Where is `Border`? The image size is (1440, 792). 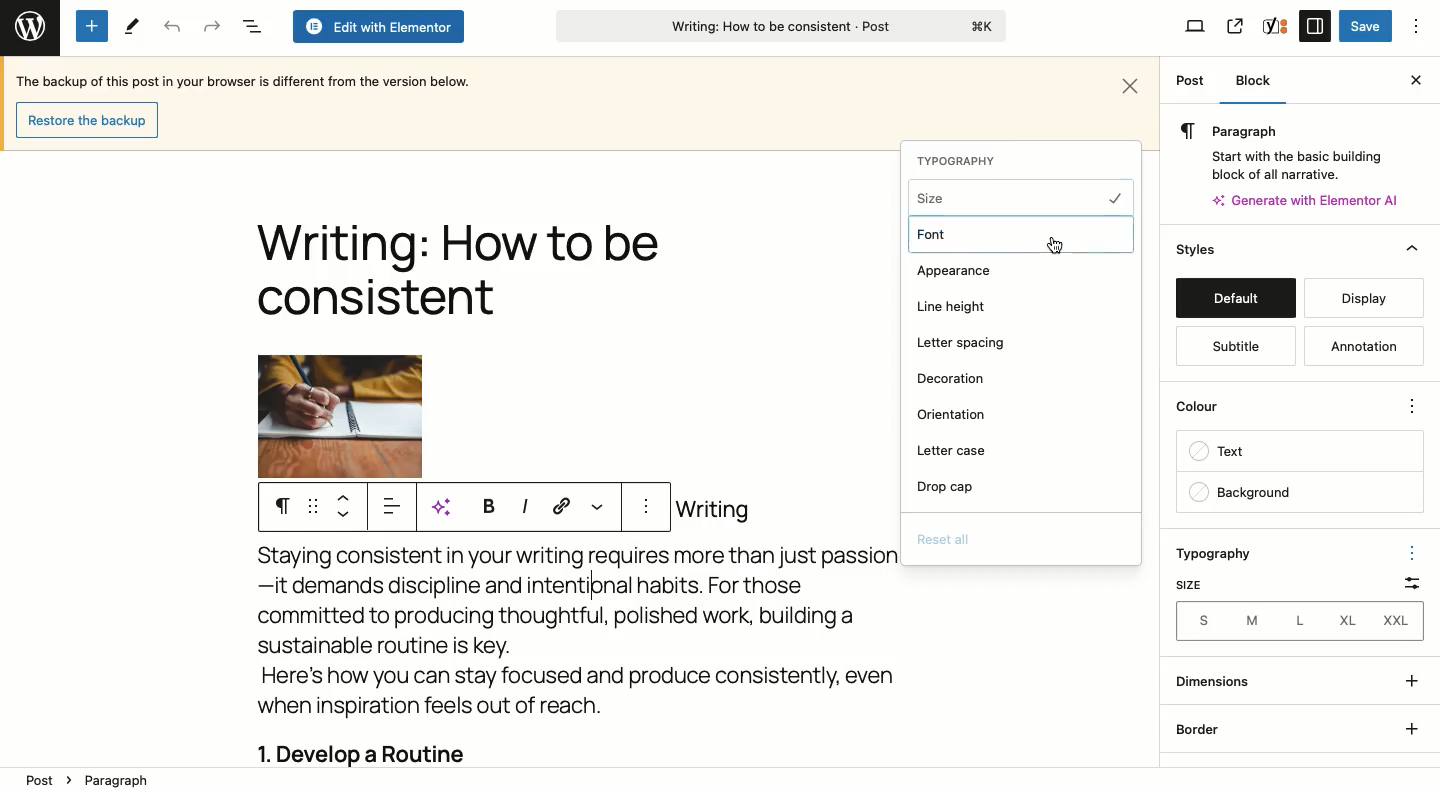
Border is located at coordinates (1206, 730).